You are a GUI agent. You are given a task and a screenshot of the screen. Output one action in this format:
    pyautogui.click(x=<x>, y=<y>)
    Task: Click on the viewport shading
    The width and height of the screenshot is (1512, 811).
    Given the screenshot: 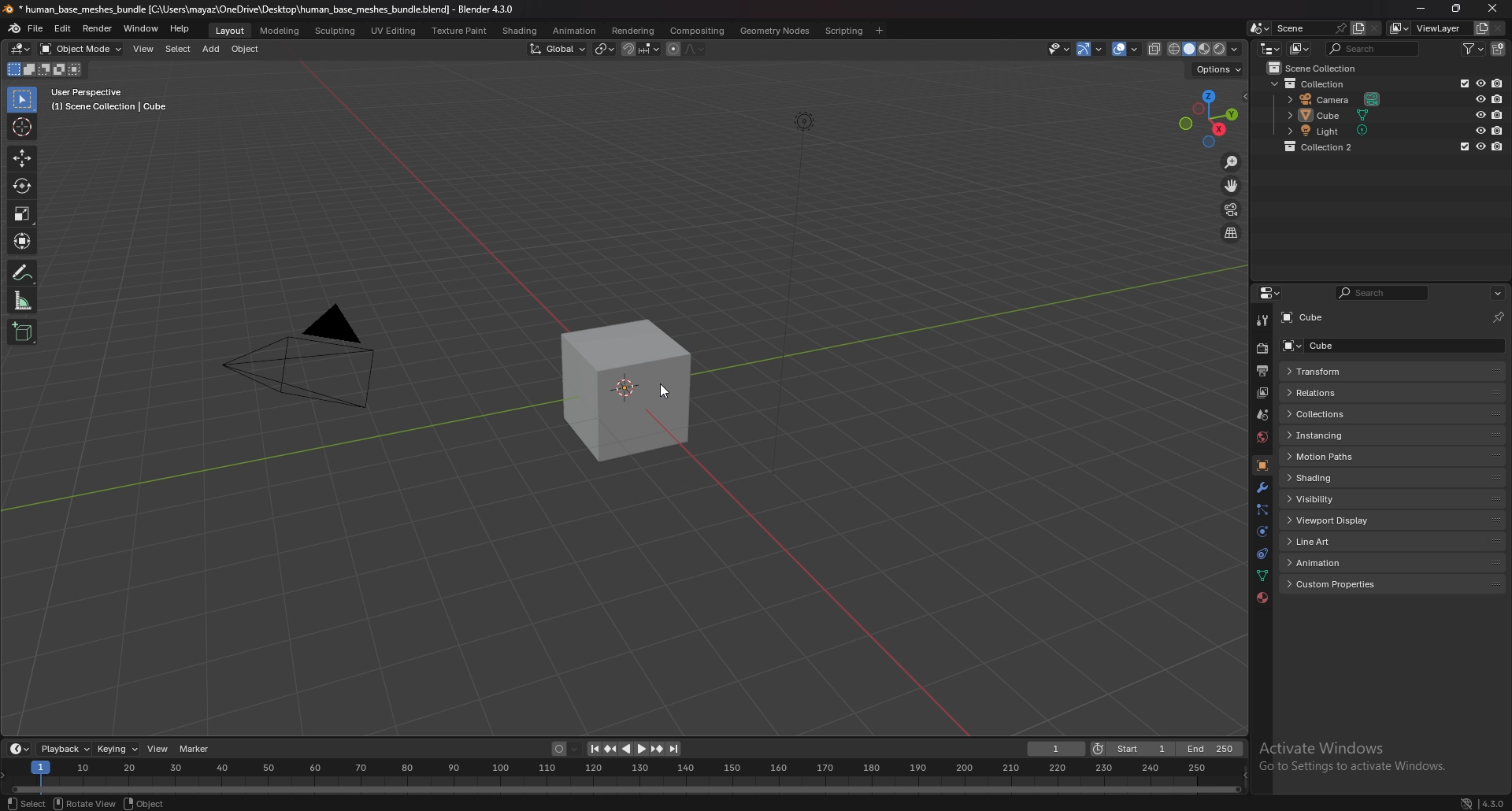 What is the action you would take?
    pyautogui.click(x=1196, y=48)
    